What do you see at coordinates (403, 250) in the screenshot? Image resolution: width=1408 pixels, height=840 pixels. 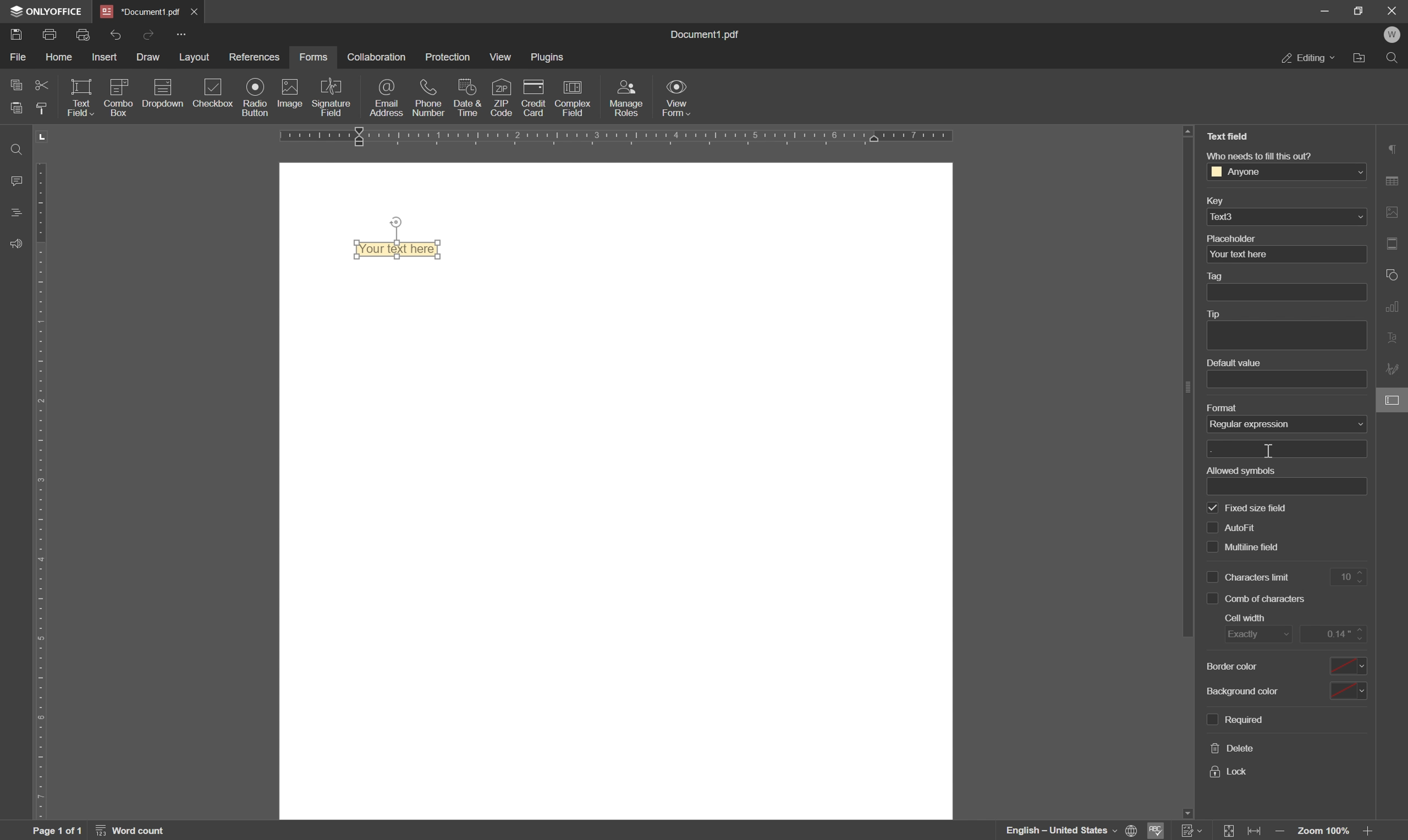 I see `Text field` at bounding box center [403, 250].